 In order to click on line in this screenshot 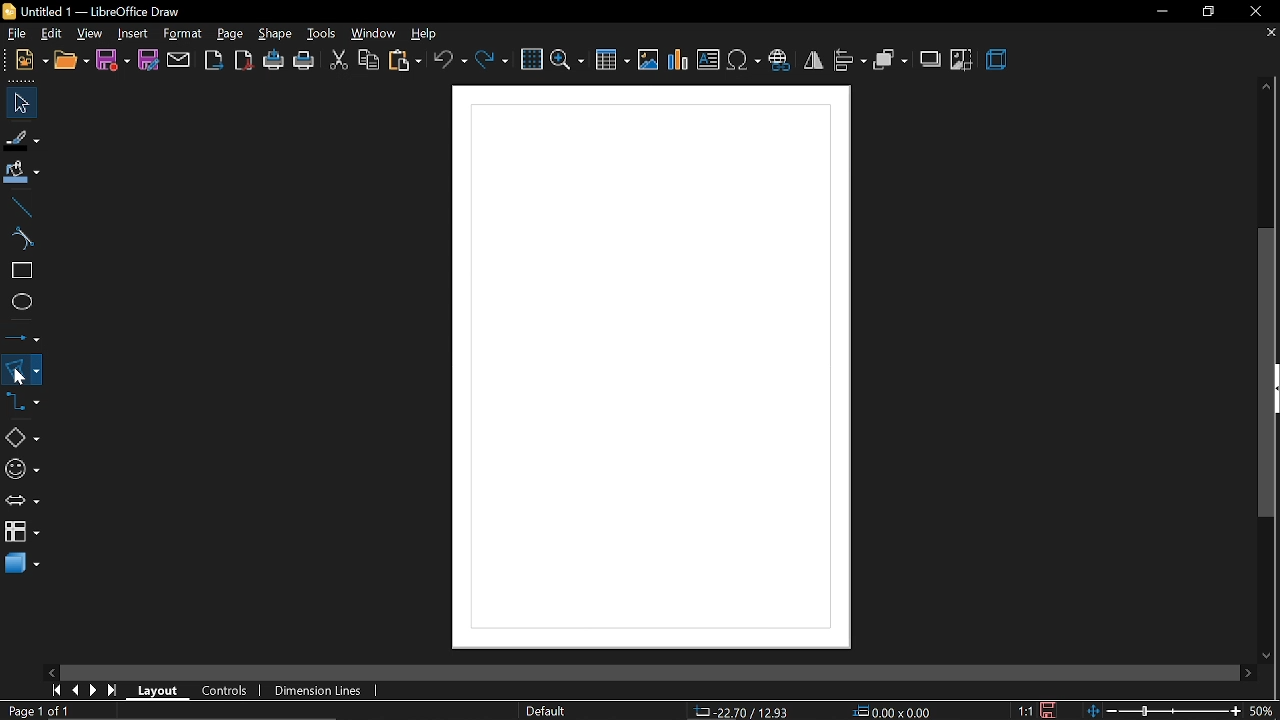, I will do `click(19, 207)`.